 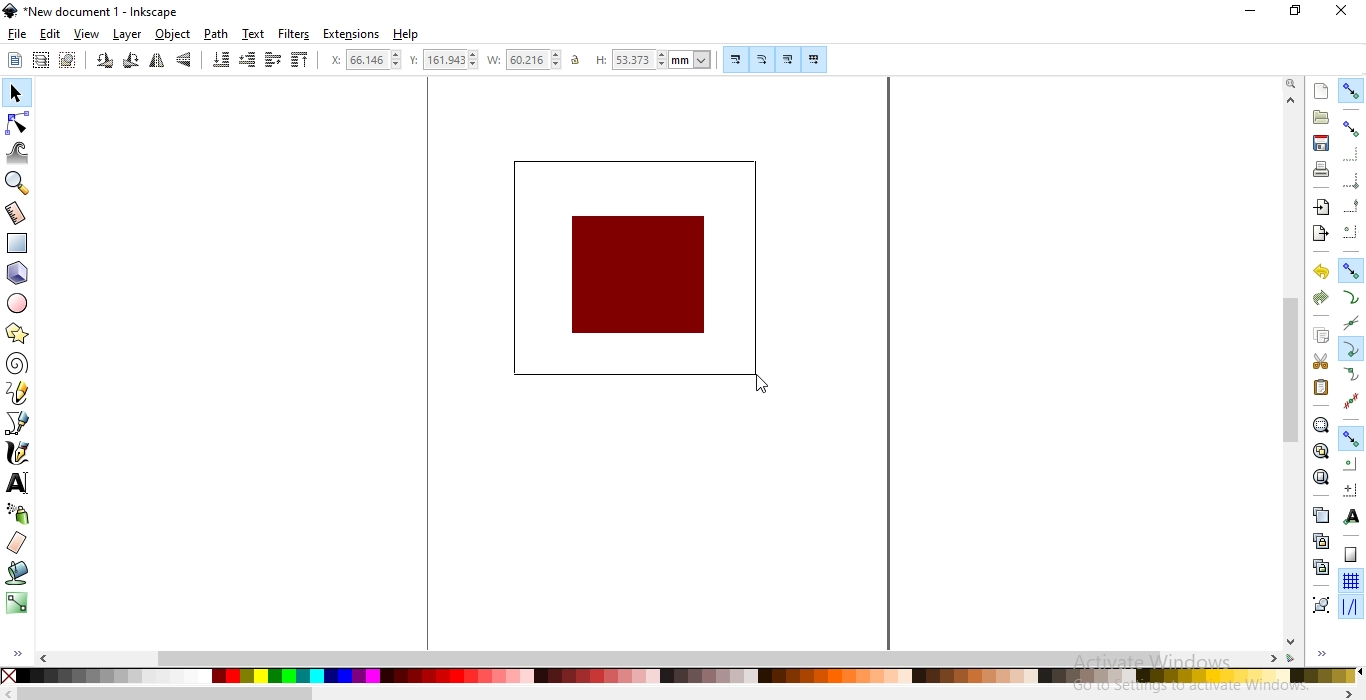 What do you see at coordinates (1322, 91) in the screenshot?
I see `create a new document` at bounding box center [1322, 91].